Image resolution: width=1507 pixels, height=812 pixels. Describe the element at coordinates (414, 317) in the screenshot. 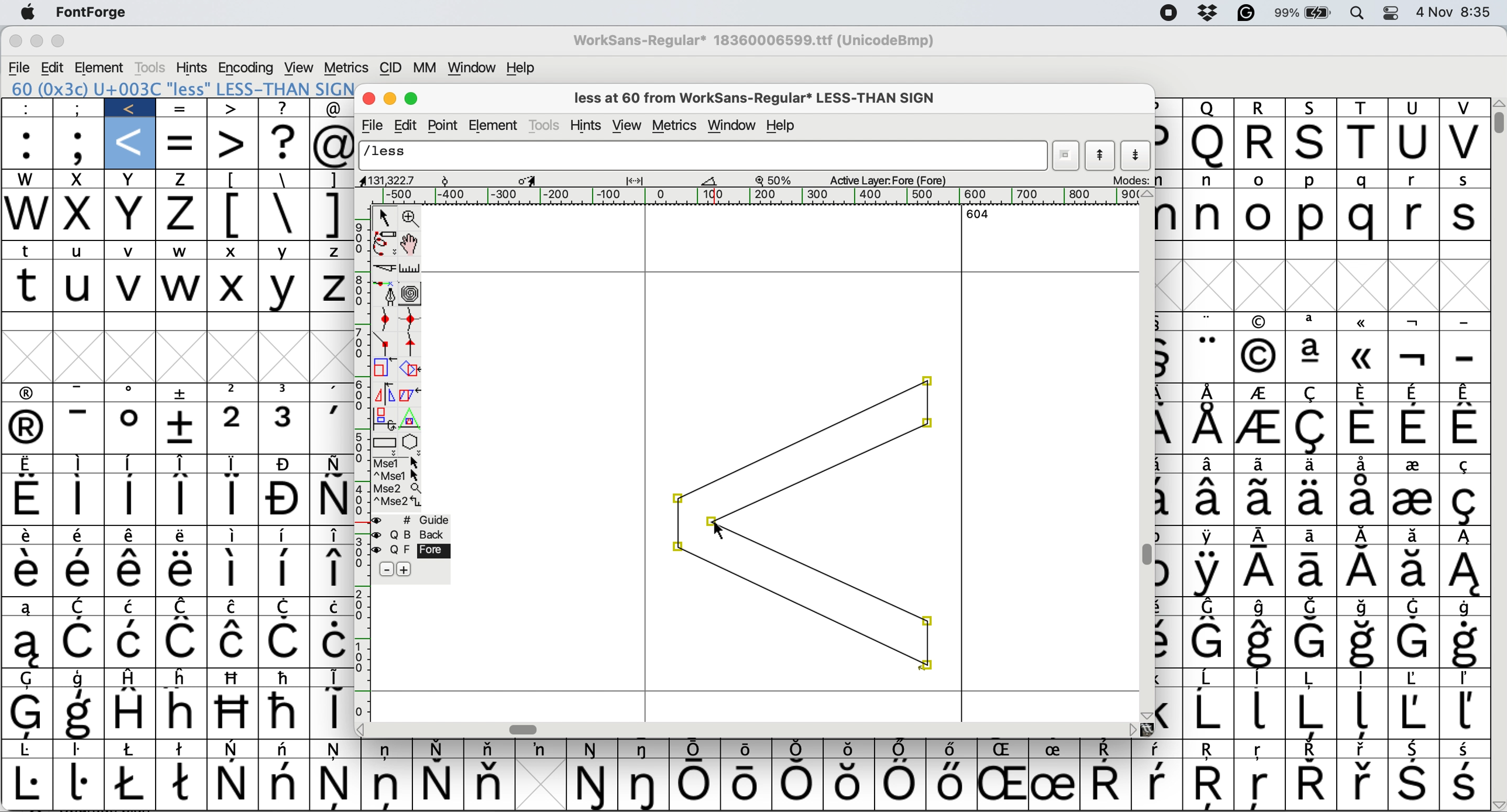

I see `add a curve point horizontal or vertical` at that location.